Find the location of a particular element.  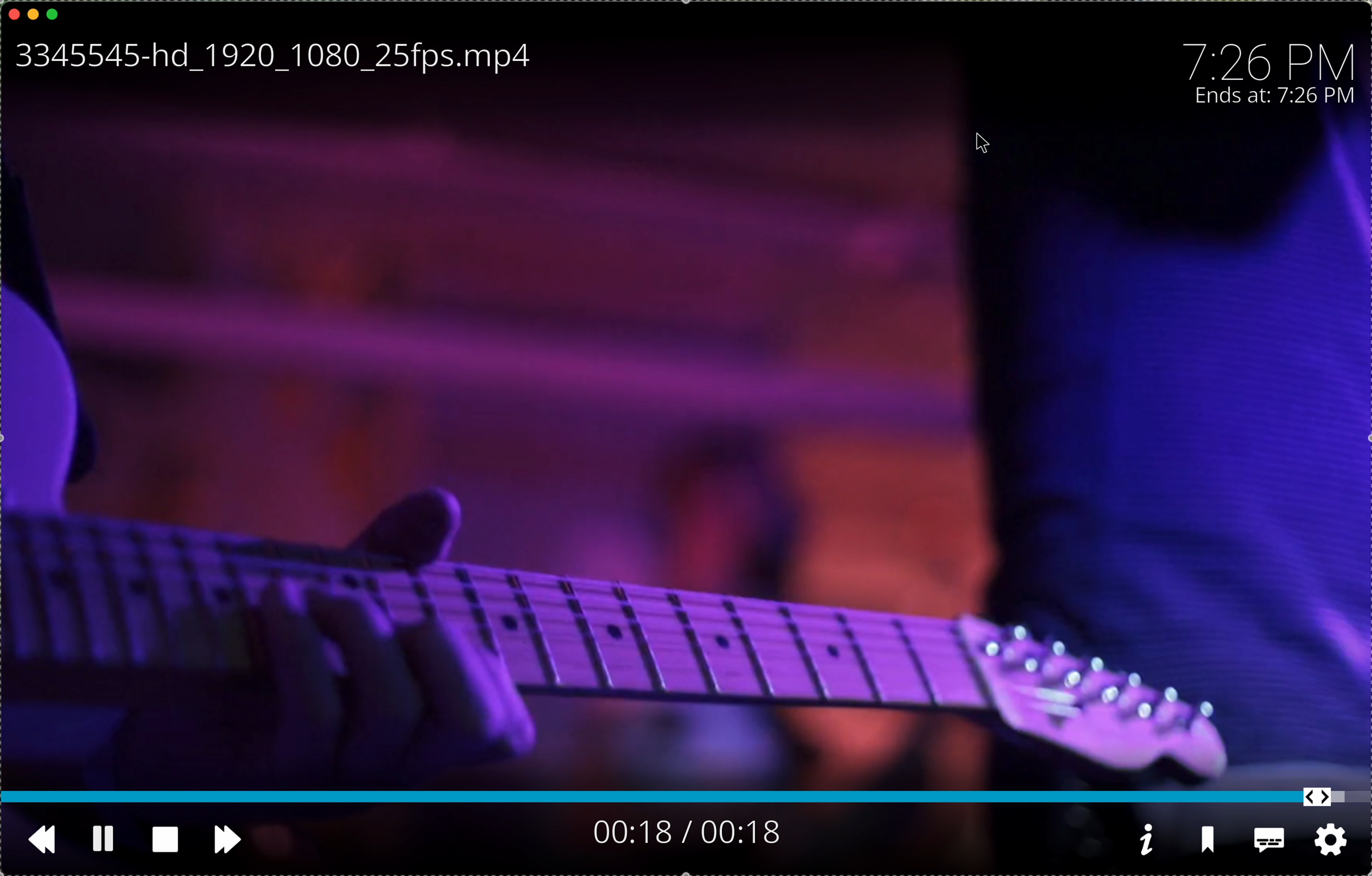

move foward is located at coordinates (231, 842).